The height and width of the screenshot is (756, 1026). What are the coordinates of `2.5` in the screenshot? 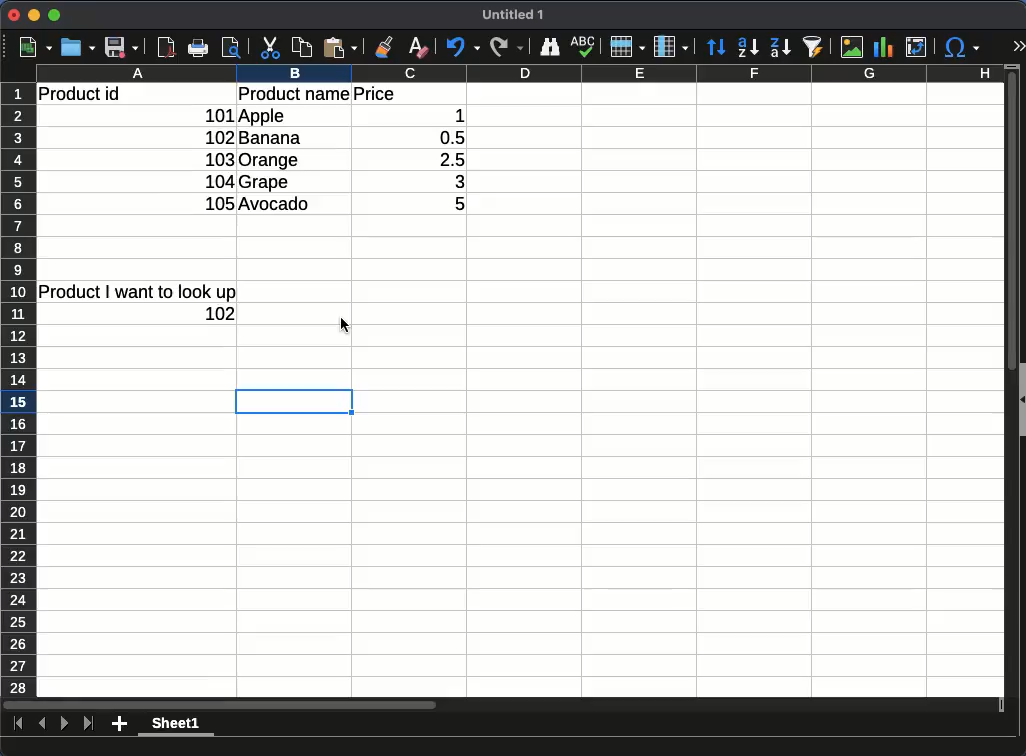 It's located at (444, 159).